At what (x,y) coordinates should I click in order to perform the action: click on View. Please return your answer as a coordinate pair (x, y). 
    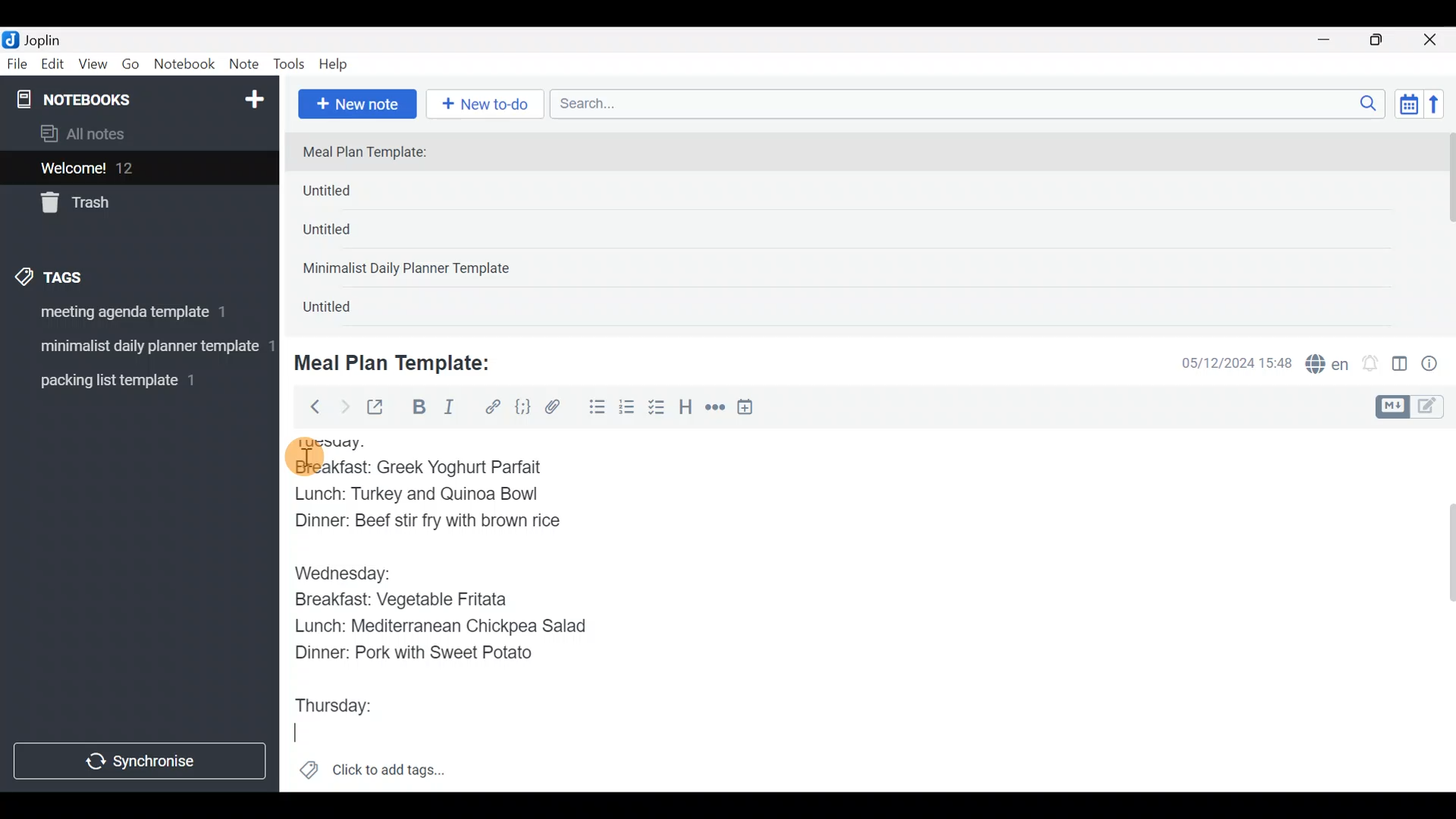
    Looking at the image, I should click on (93, 67).